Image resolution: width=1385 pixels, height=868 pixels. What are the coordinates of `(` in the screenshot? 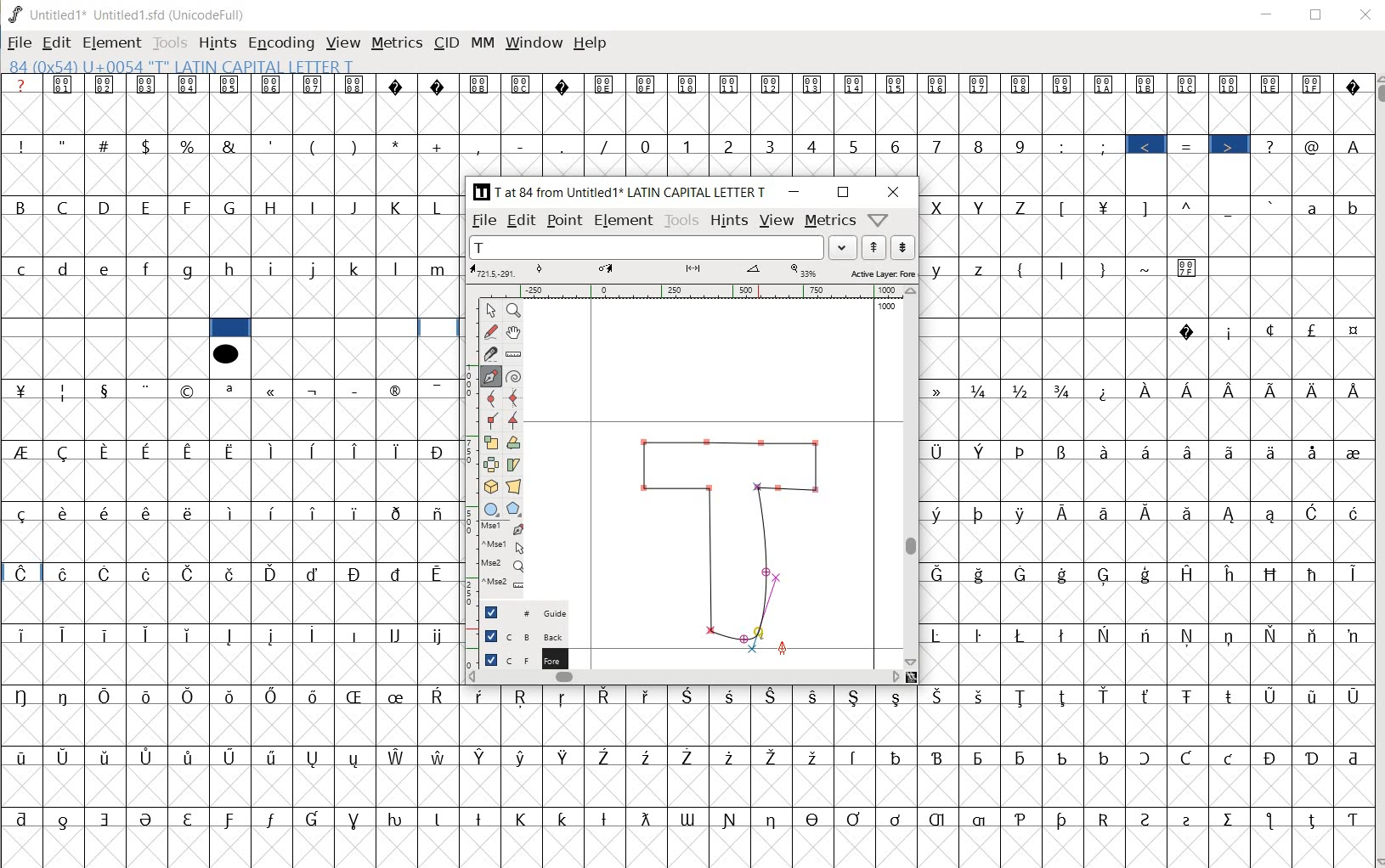 It's located at (314, 145).